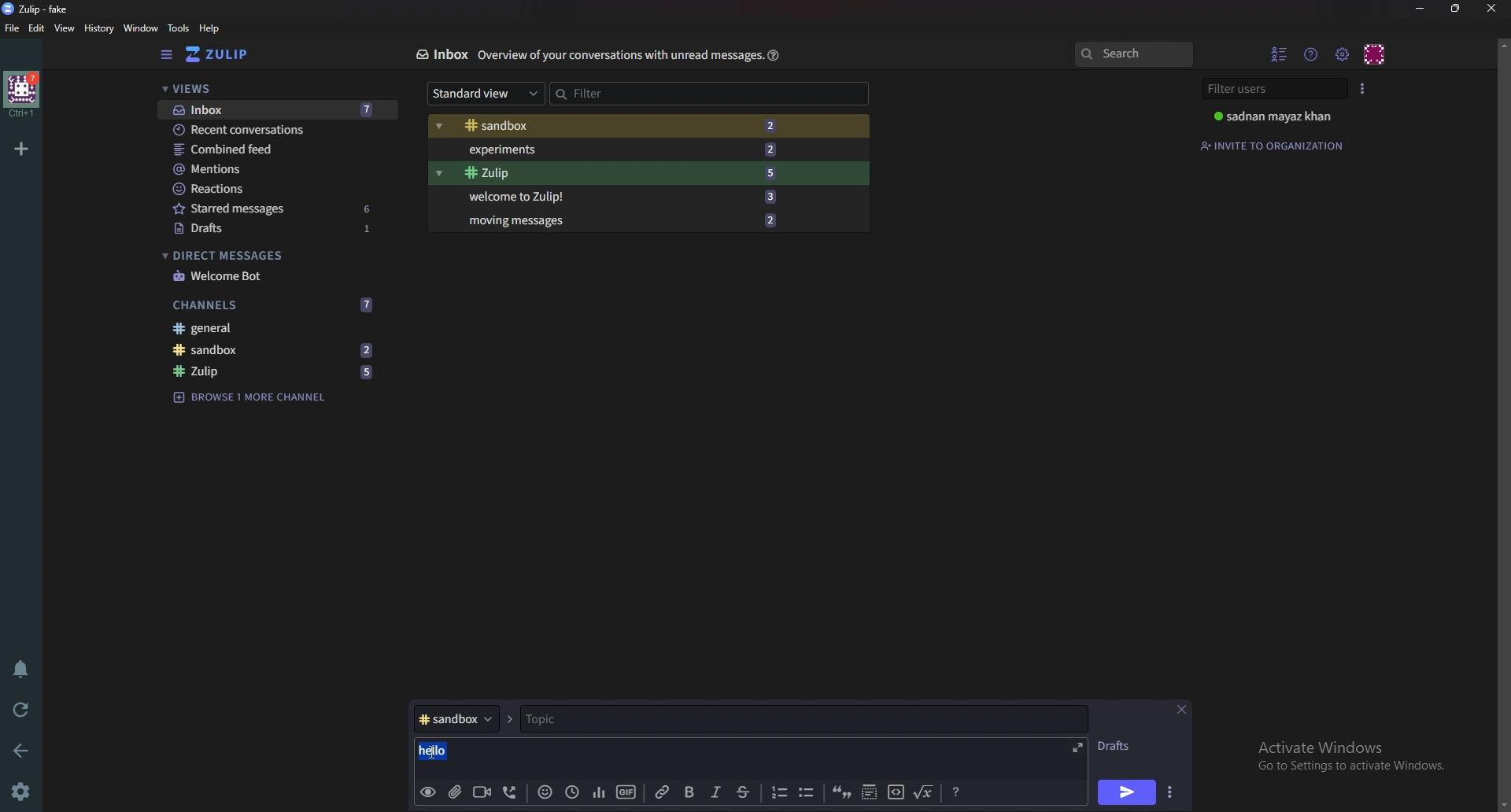 Image resolution: width=1511 pixels, height=812 pixels. Describe the element at coordinates (273, 275) in the screenshot. I see `welcome bot` at that location.